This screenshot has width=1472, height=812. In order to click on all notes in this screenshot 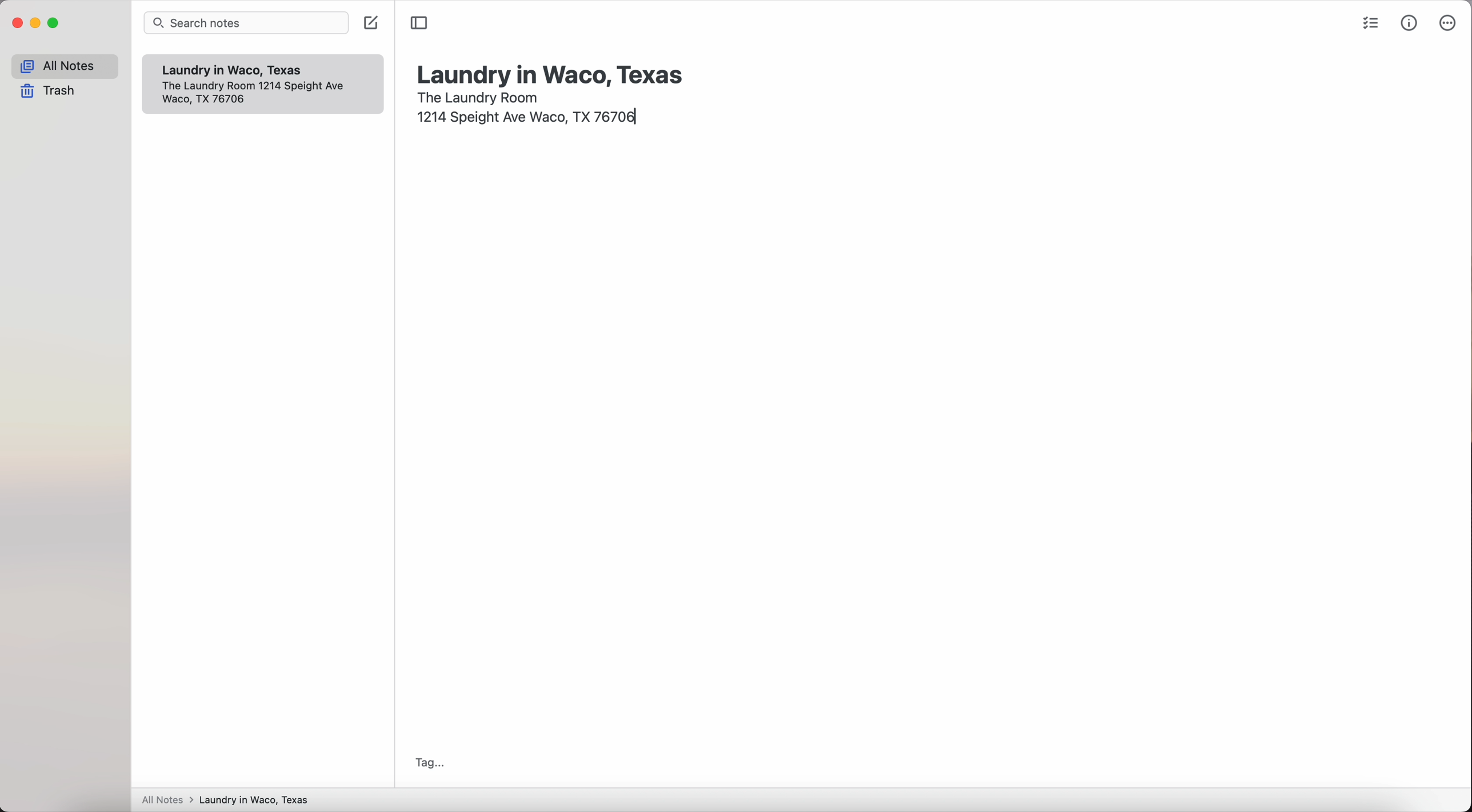, I will do `click(65, 66)`.